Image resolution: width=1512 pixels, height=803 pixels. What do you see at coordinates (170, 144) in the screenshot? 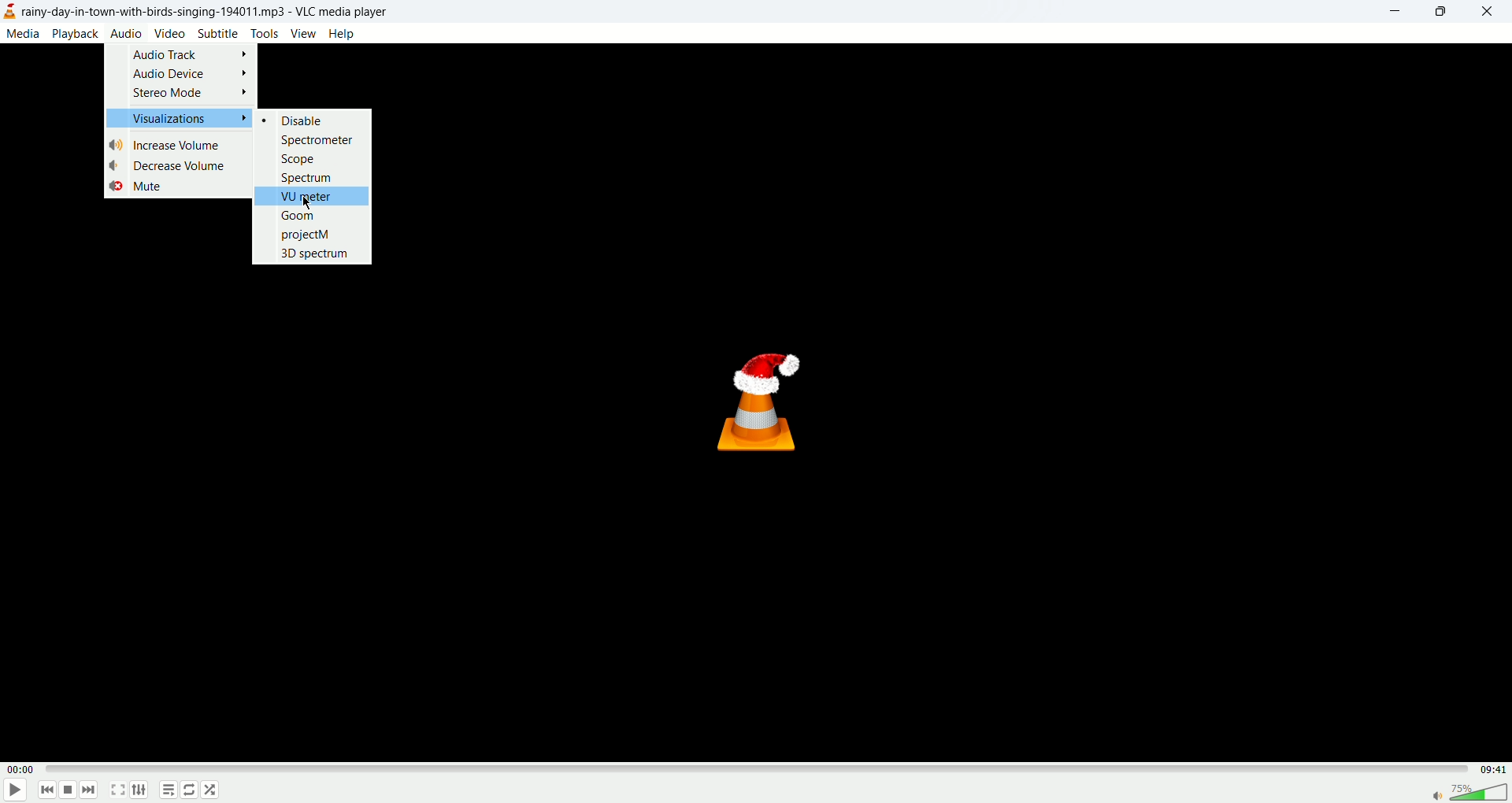
I see `increase volume` at bounding box center [170, 144].